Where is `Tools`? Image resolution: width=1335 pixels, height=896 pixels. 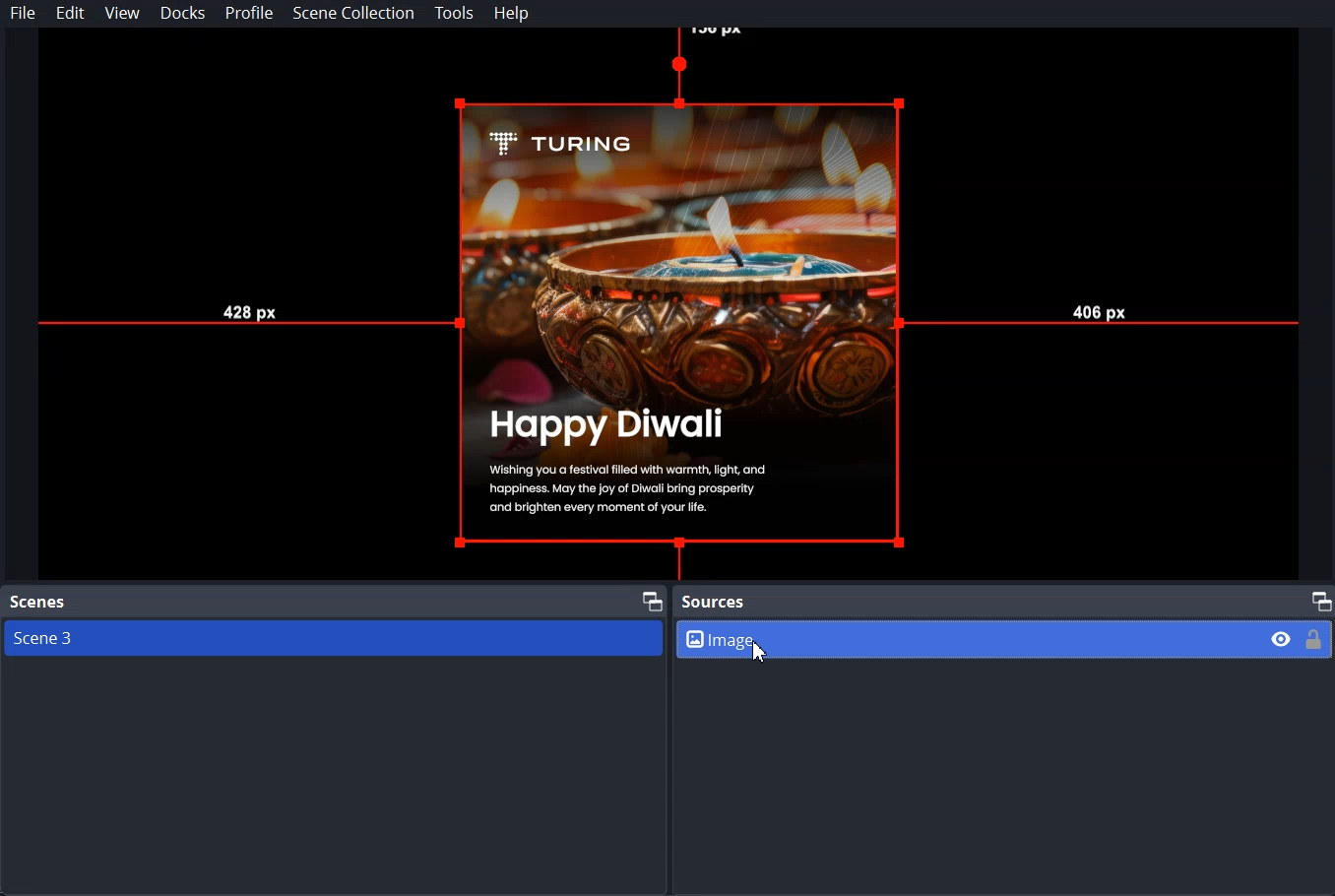
Tools is located at coordinates (454, 14).